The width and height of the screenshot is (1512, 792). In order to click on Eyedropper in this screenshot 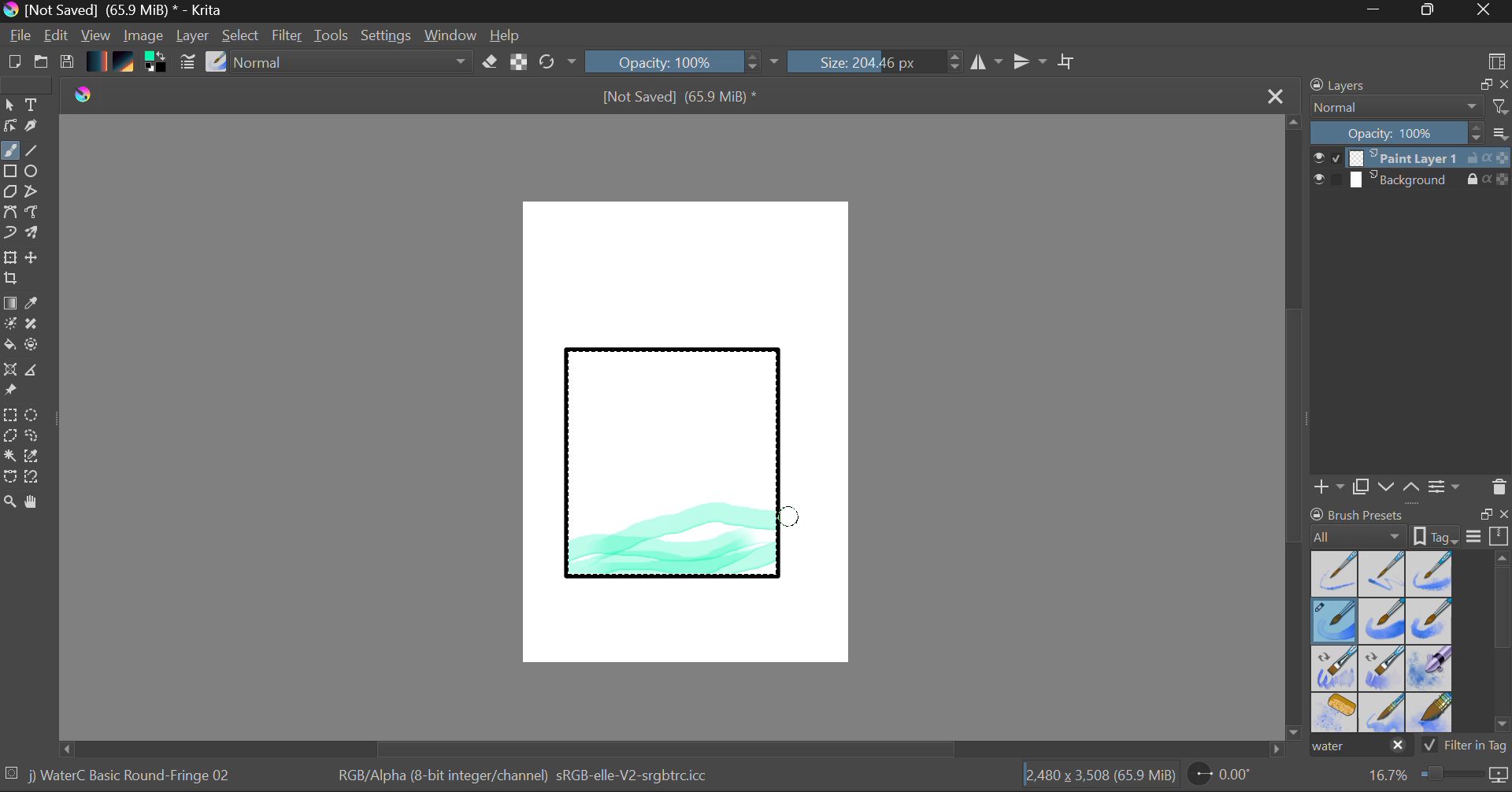, I will do `click(35, 304)`.